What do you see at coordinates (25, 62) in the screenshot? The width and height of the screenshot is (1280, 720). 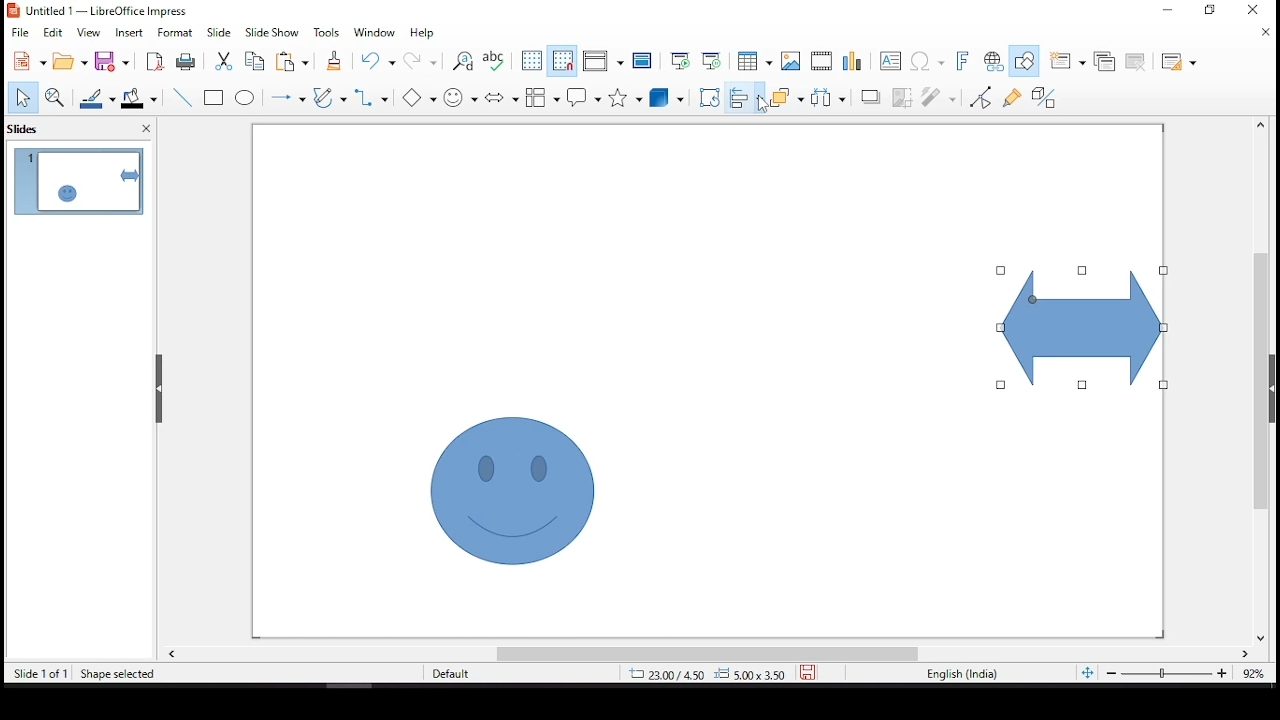 I see `new` at bounding box center [25, 62].